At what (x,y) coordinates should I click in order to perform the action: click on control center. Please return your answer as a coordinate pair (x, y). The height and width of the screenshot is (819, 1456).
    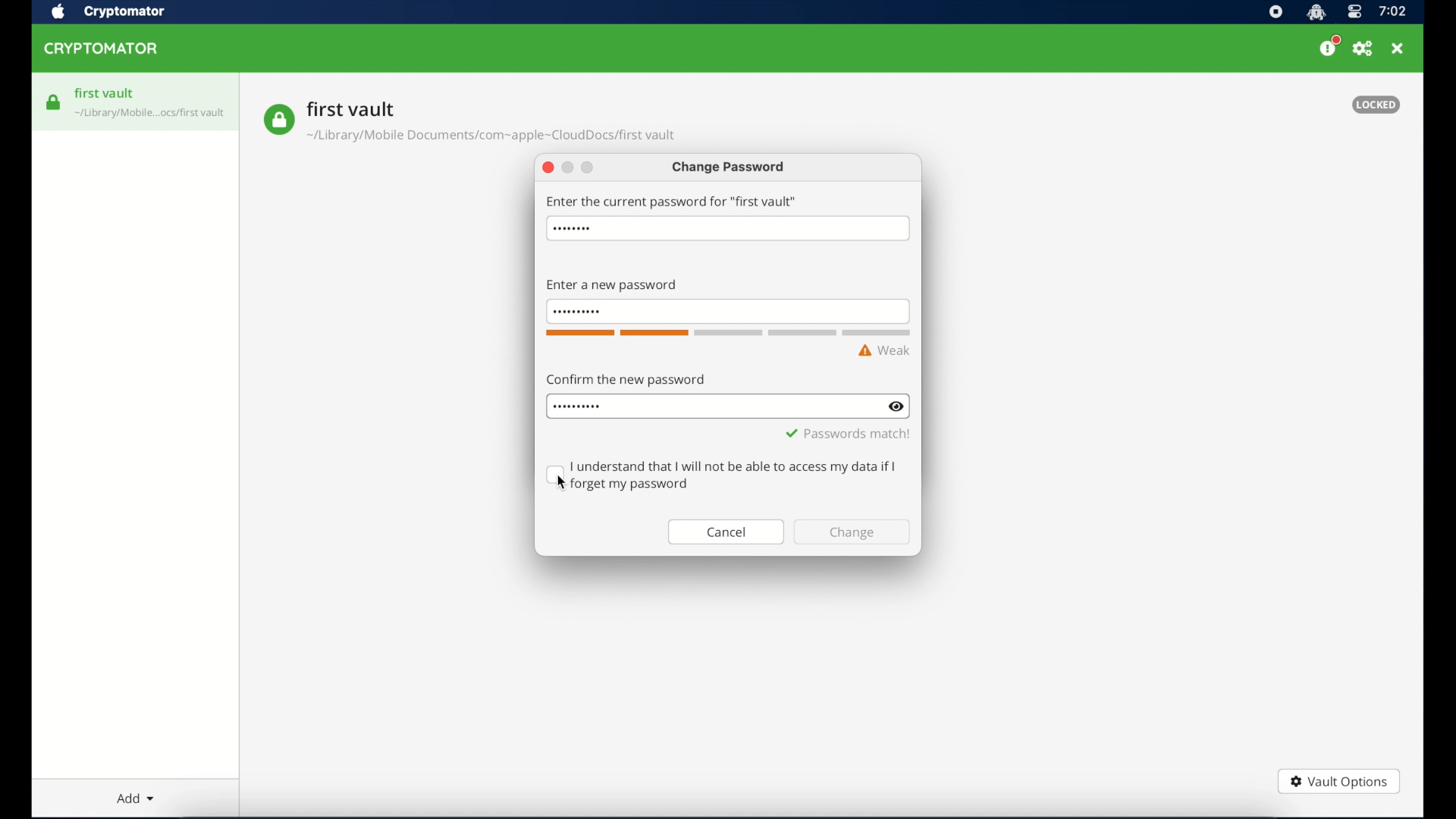
    Looking at the image, I should click on (1354, 13).